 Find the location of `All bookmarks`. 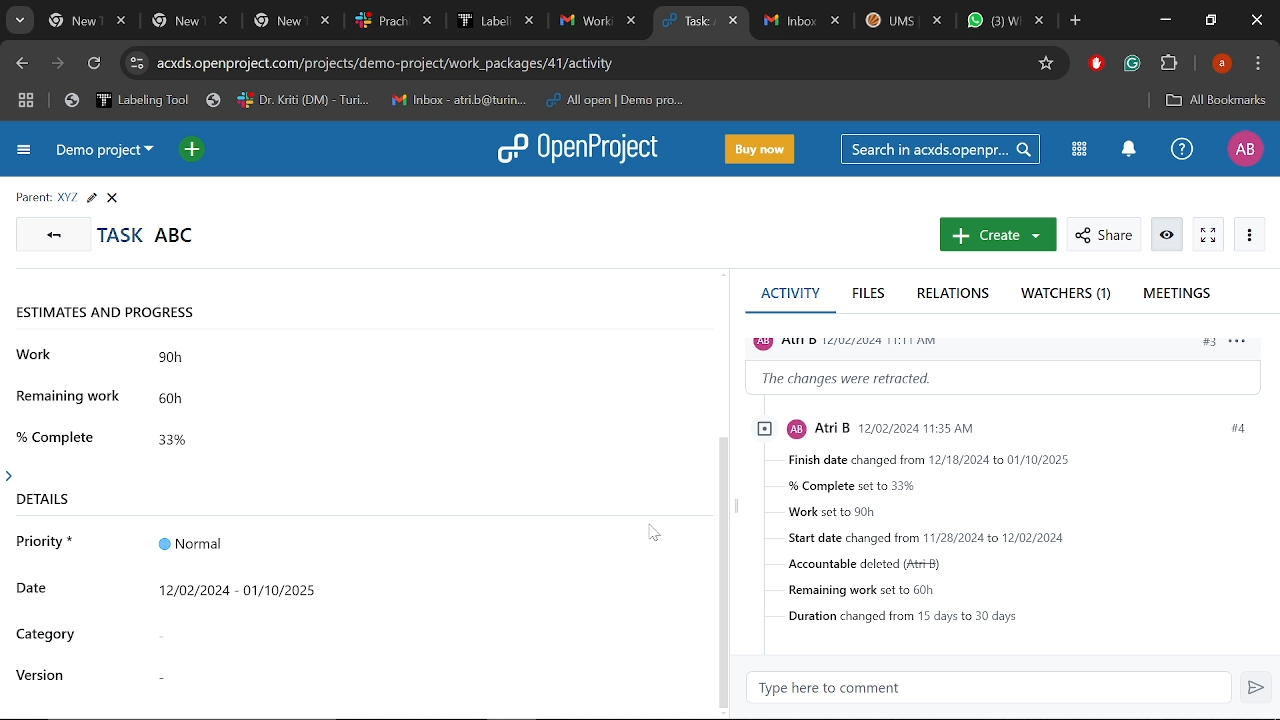

All bookmarks is located at coordinates (1215, 101).